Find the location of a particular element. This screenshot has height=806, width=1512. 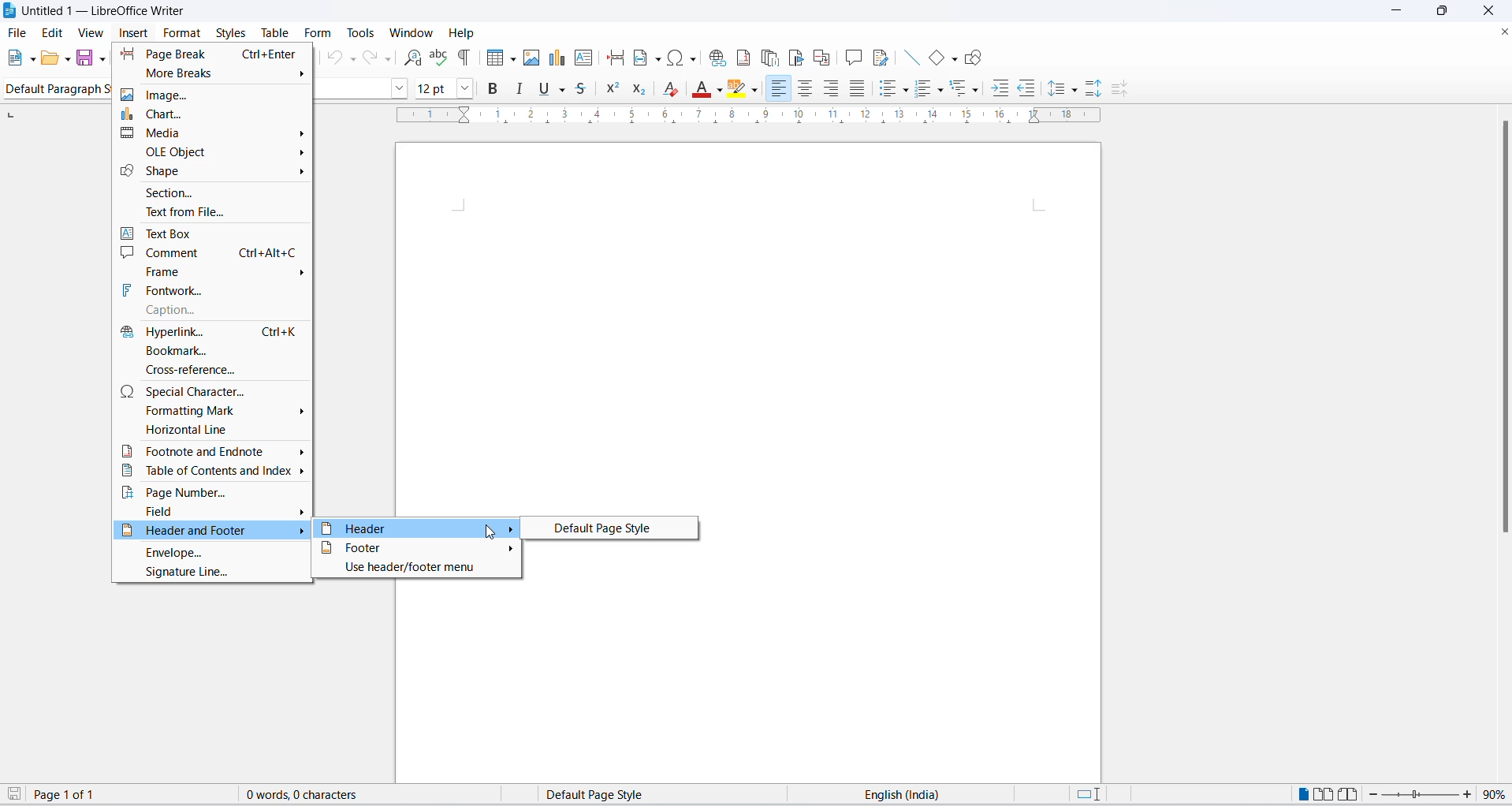

tools is located at coordinates (362, 31).